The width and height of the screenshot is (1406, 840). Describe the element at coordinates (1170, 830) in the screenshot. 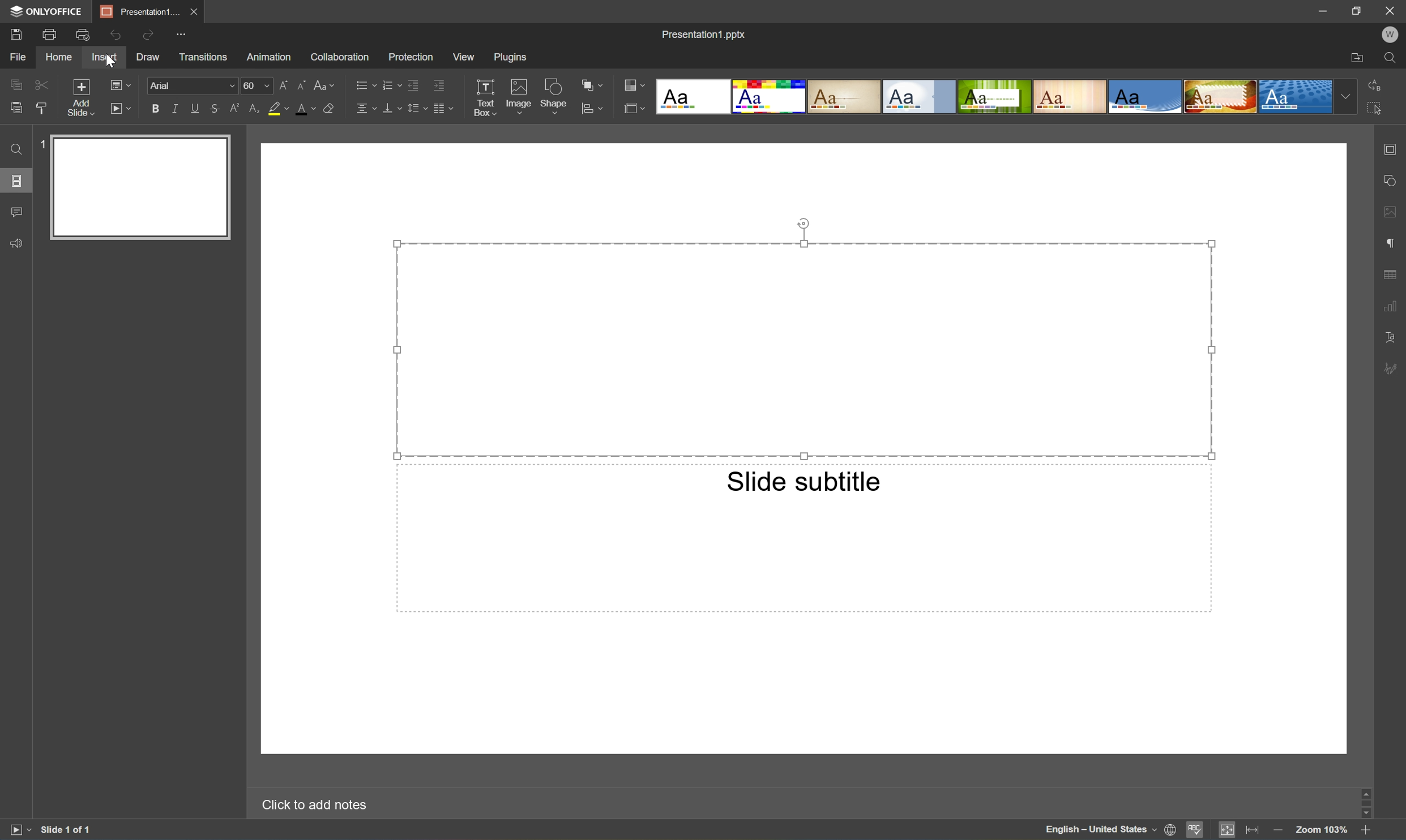

I see `Set document language` at that location.